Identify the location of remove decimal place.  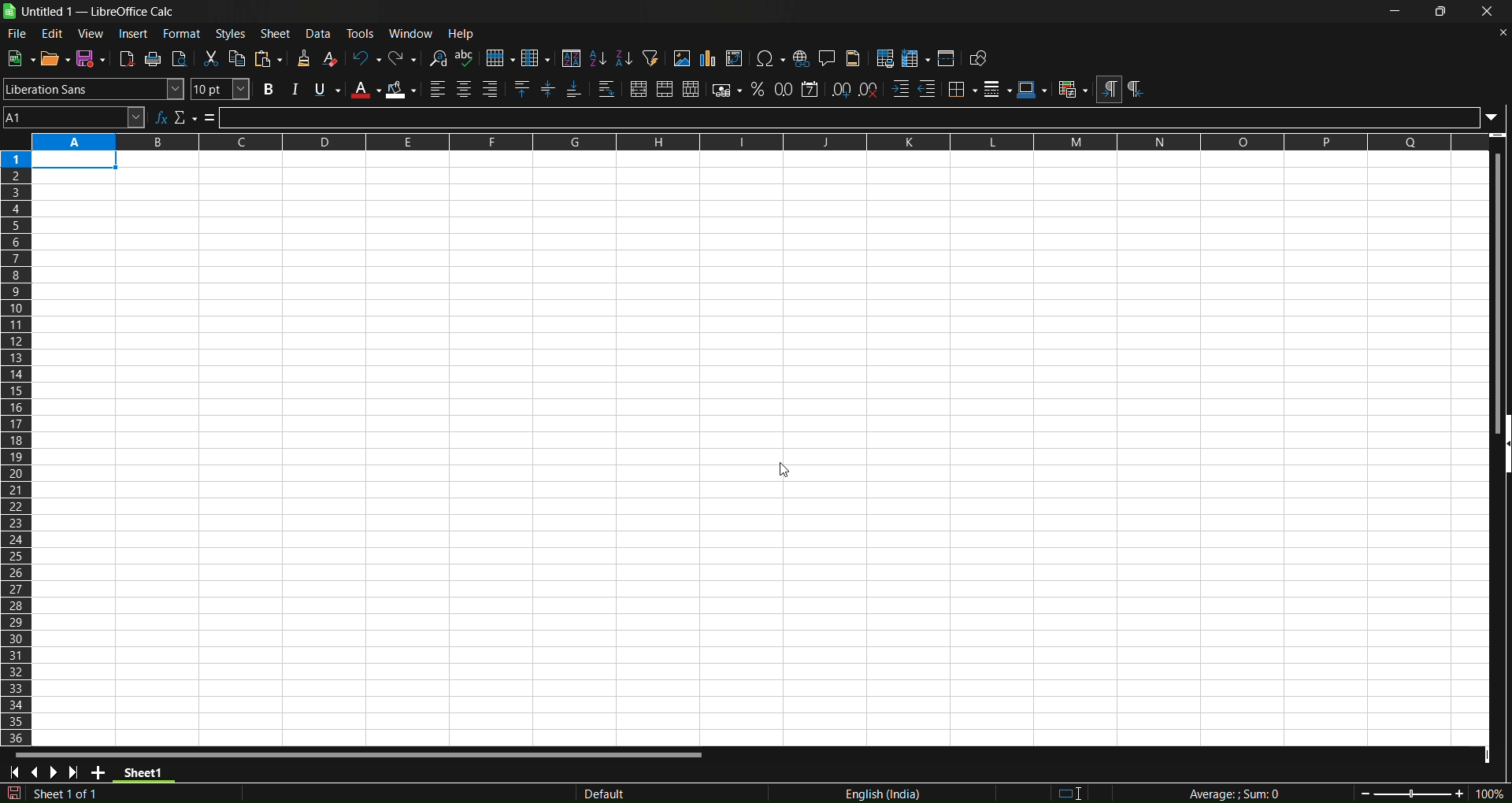
(869, 88).